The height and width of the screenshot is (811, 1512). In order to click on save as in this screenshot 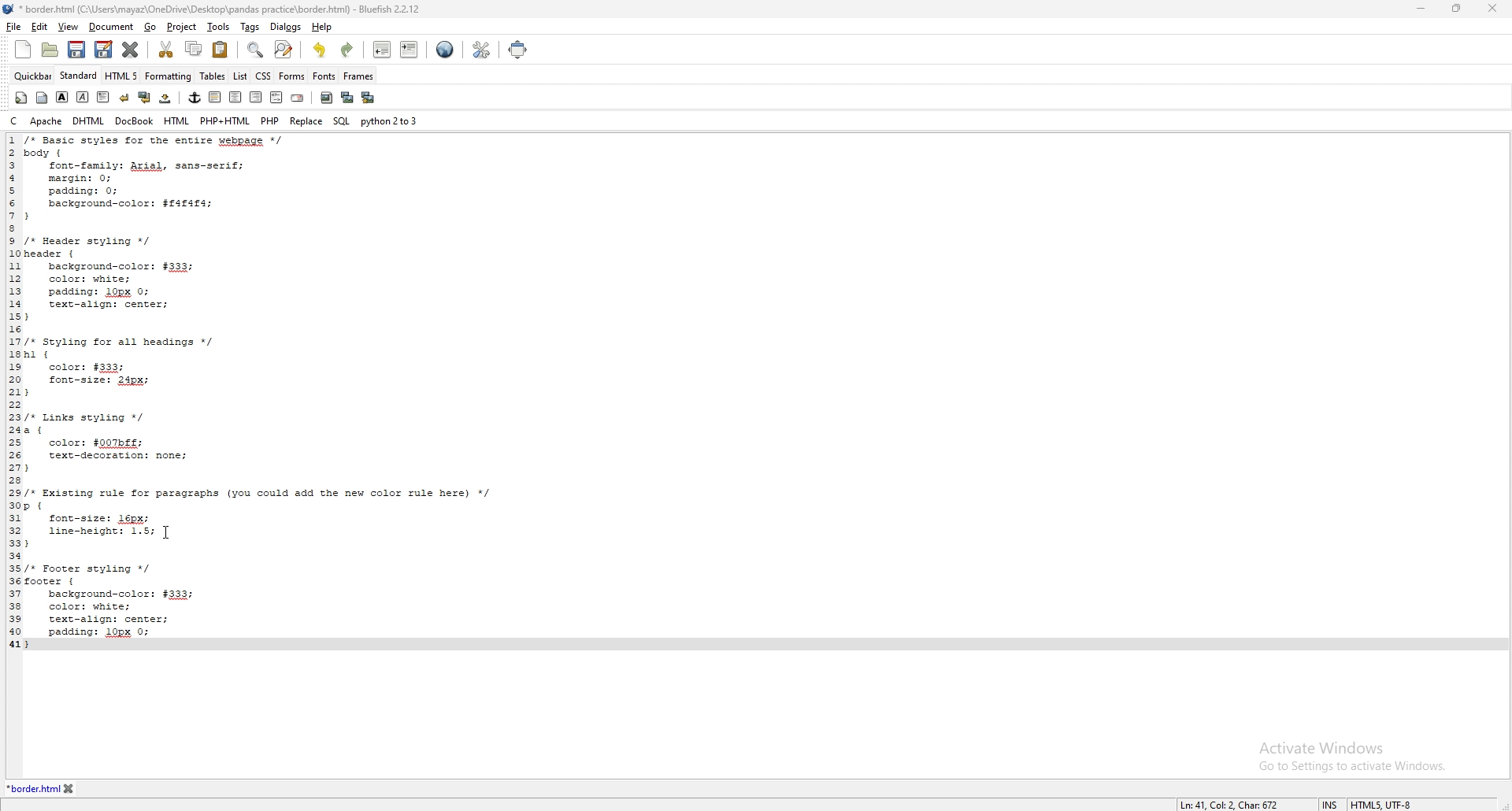, I will do `click(103, 50)`.